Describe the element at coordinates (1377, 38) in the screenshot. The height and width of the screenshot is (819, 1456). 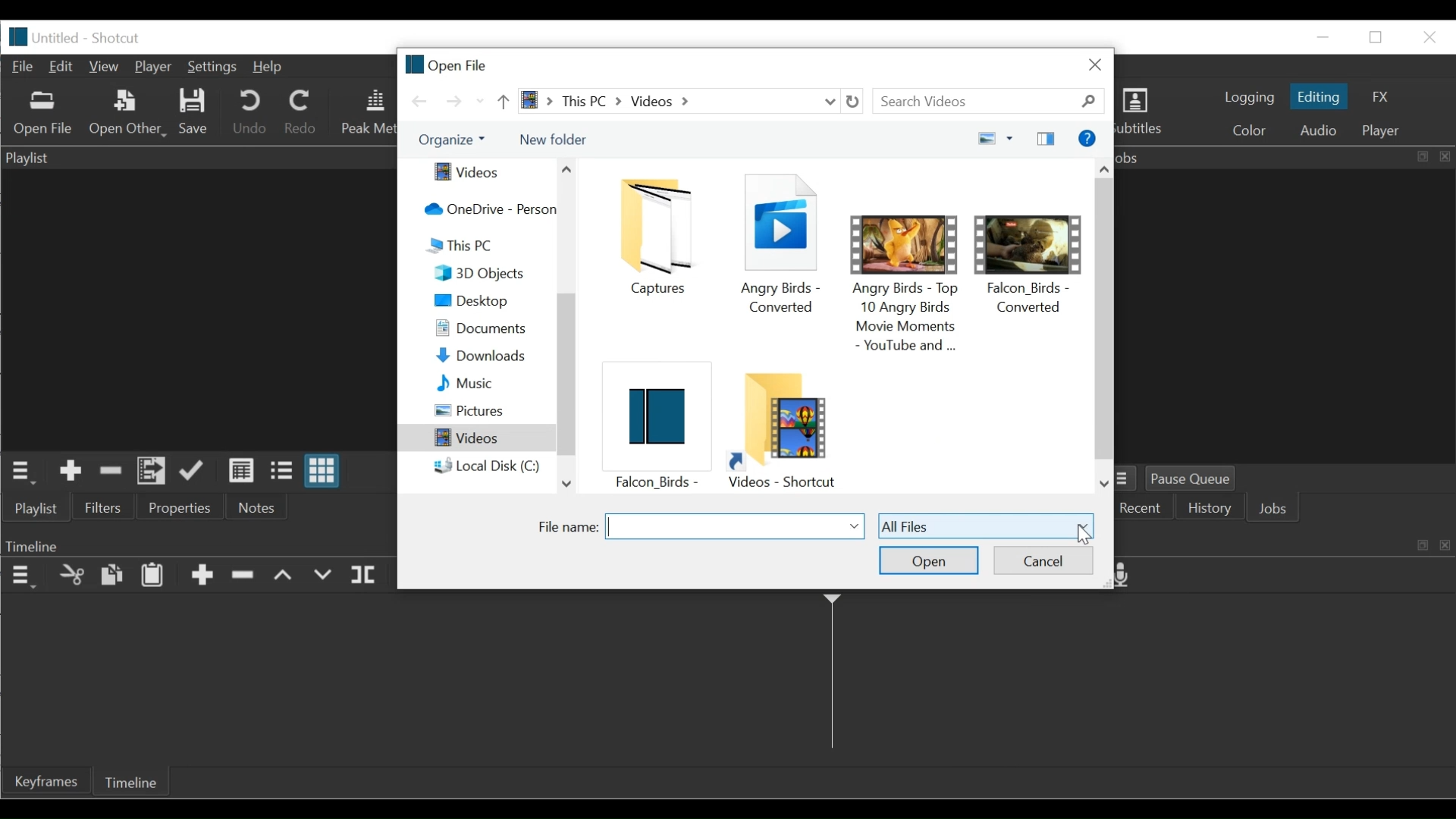
I see `Restore` at that location.